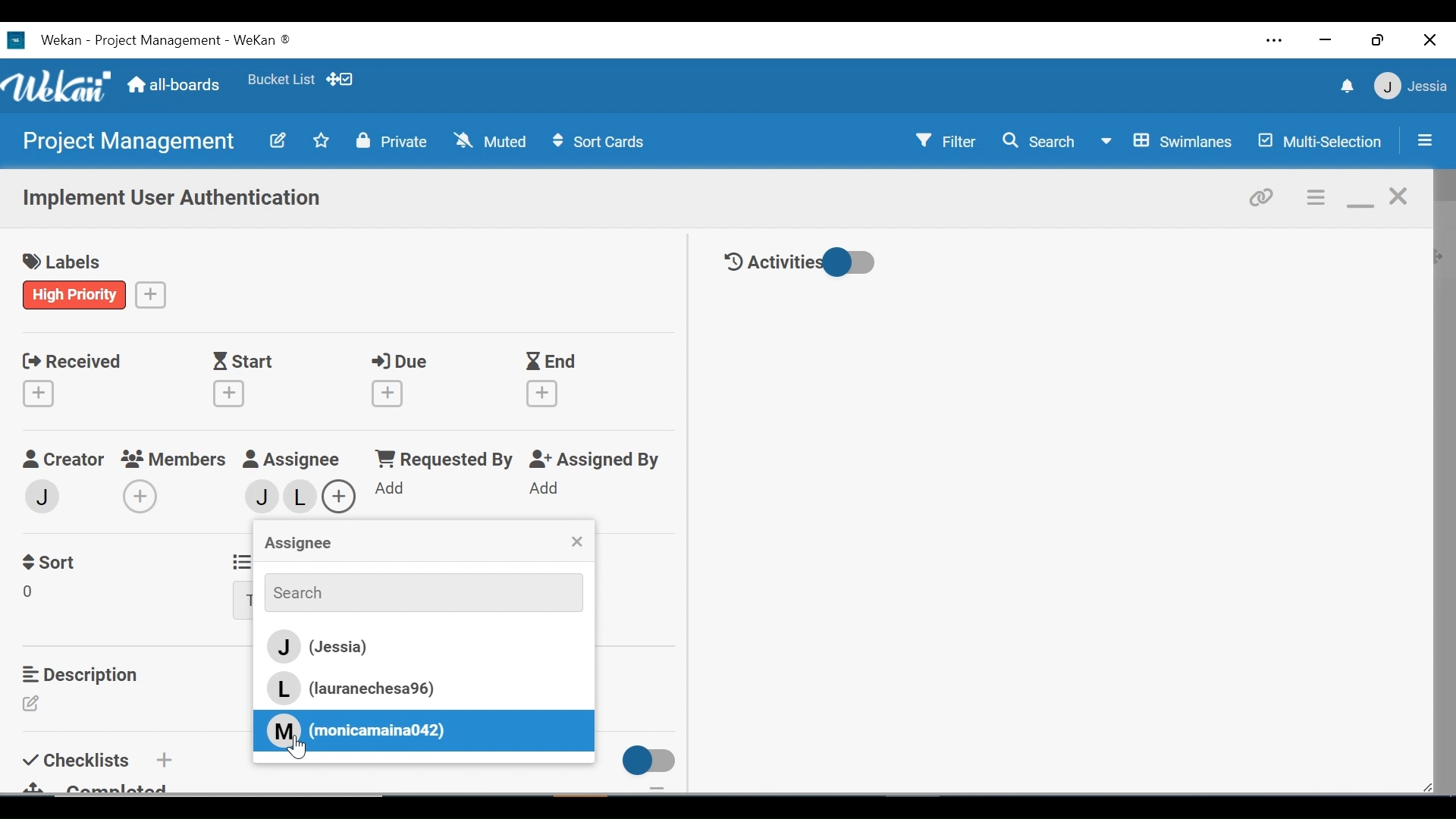  Describe the element at coordinates (20, 40) in the screenshot. I see `wekan icon` at that location.